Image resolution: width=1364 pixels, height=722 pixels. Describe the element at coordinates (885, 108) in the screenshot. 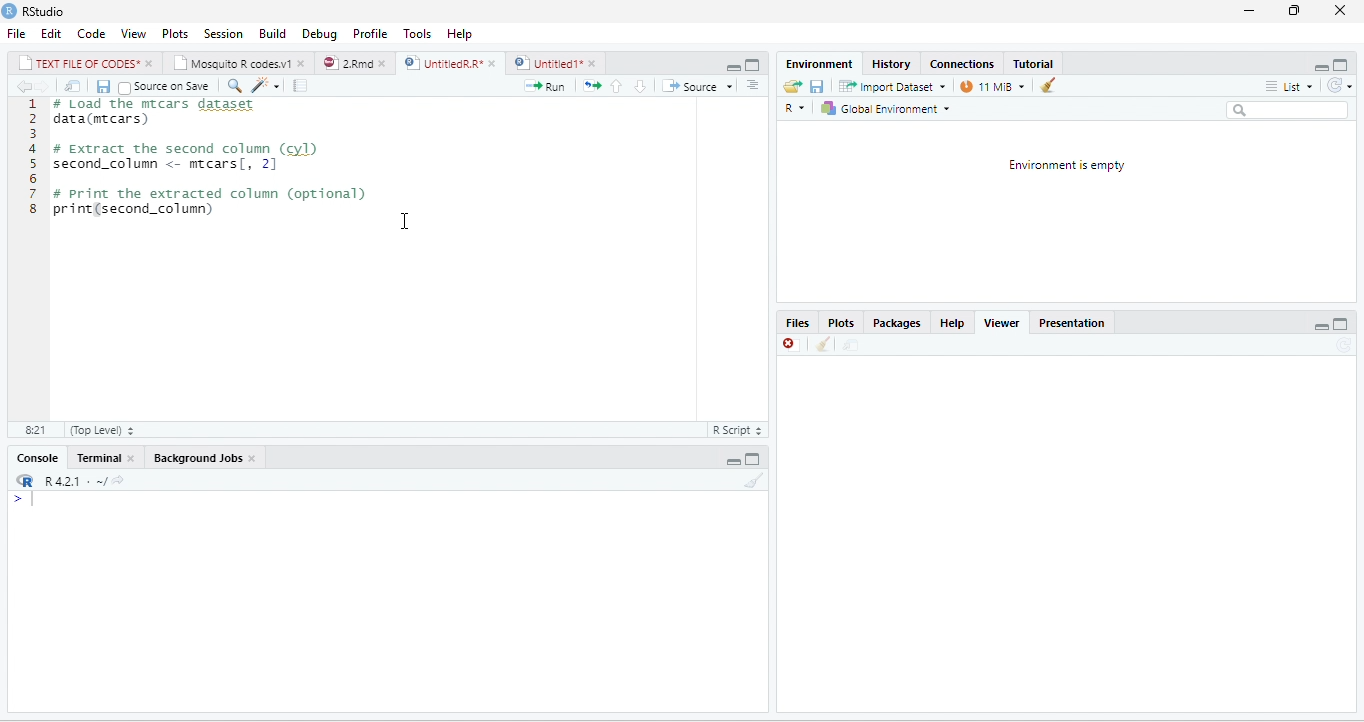

I see `| Global Environment =` at that location.